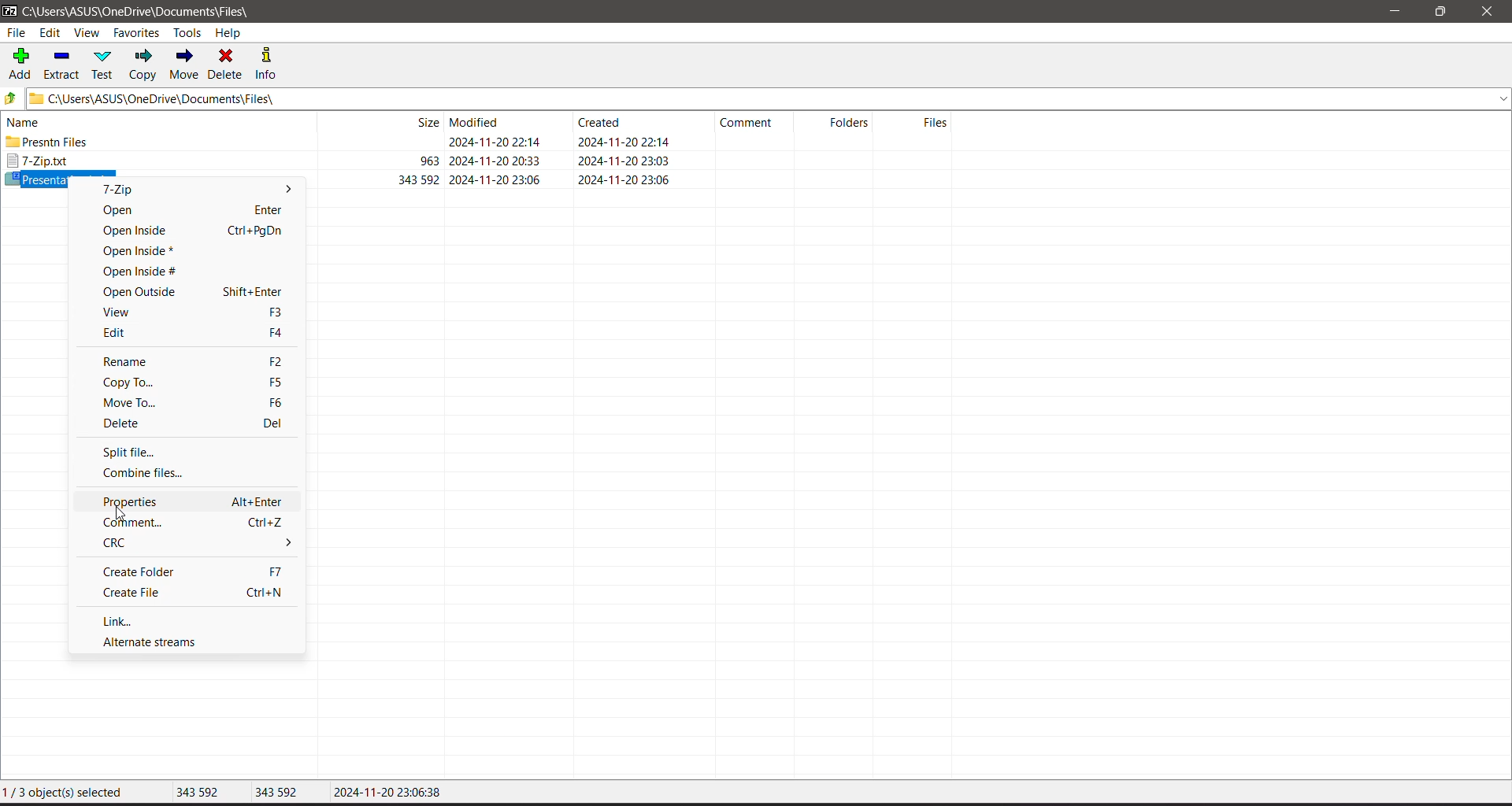 This screenshot has width=1512, height=806. I want to click on Help, so click(228, 33).